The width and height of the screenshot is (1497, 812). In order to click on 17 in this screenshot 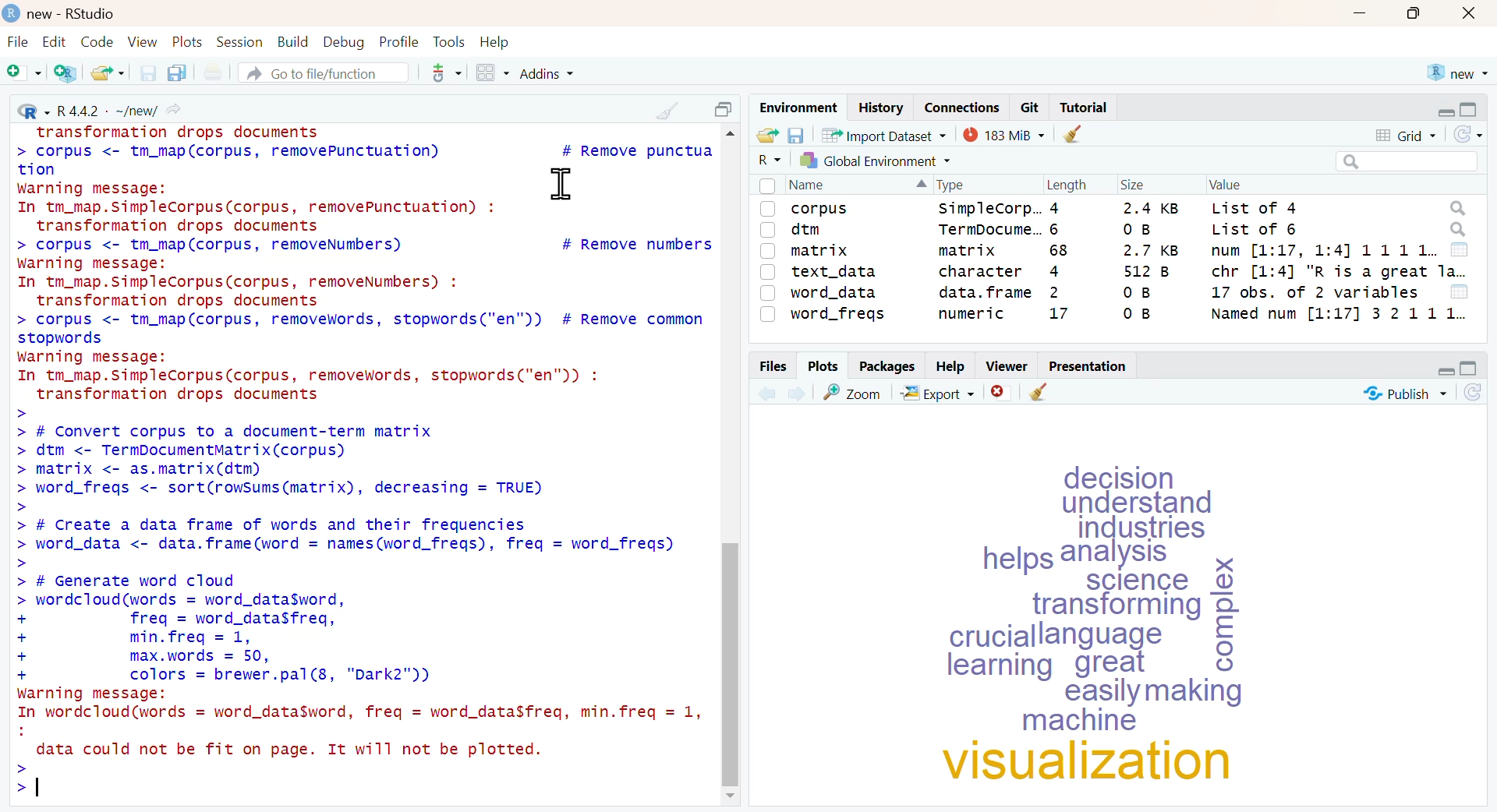, I will do `click(1057, 315)`.